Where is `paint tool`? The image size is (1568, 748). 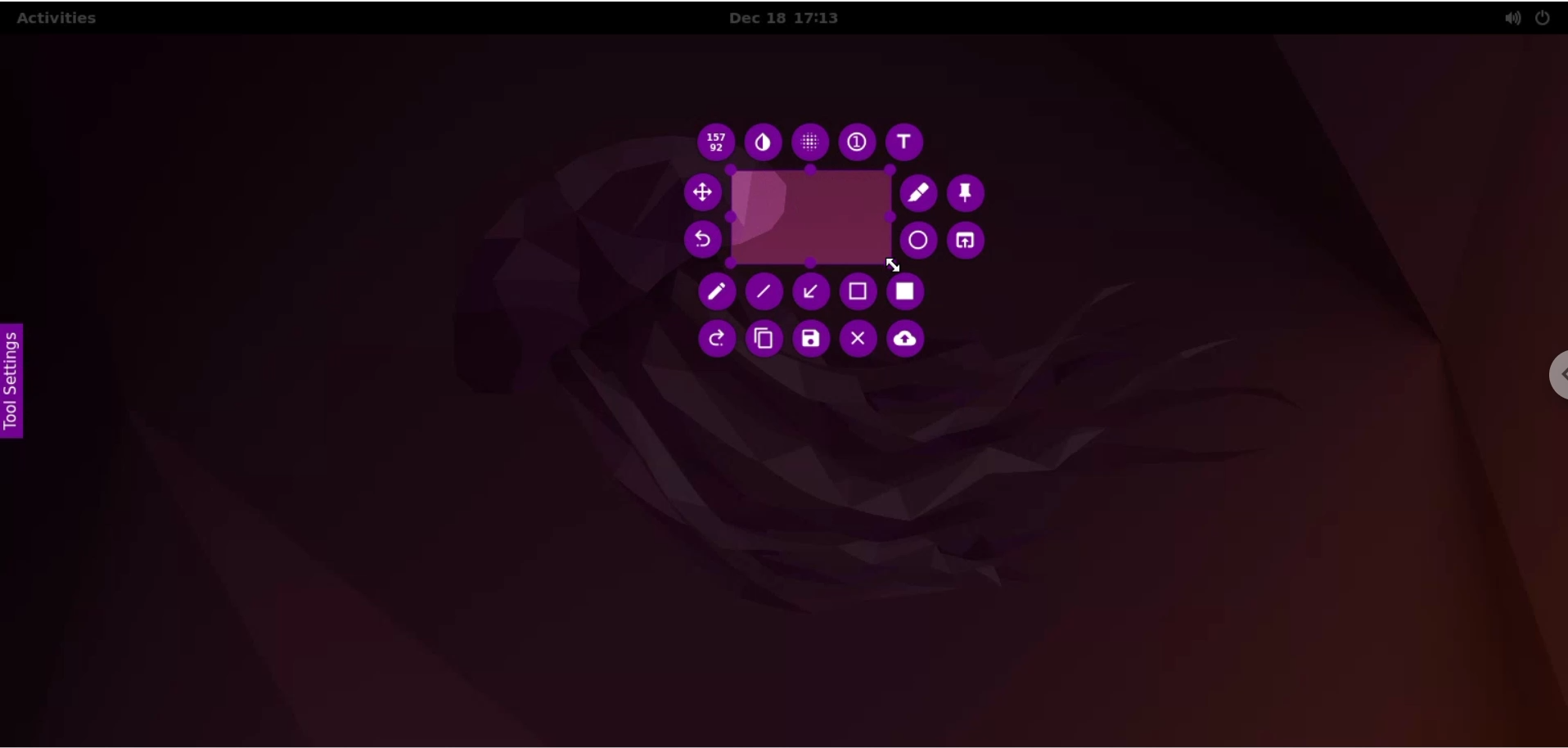
paint tool is located at coordinates (921, 192).